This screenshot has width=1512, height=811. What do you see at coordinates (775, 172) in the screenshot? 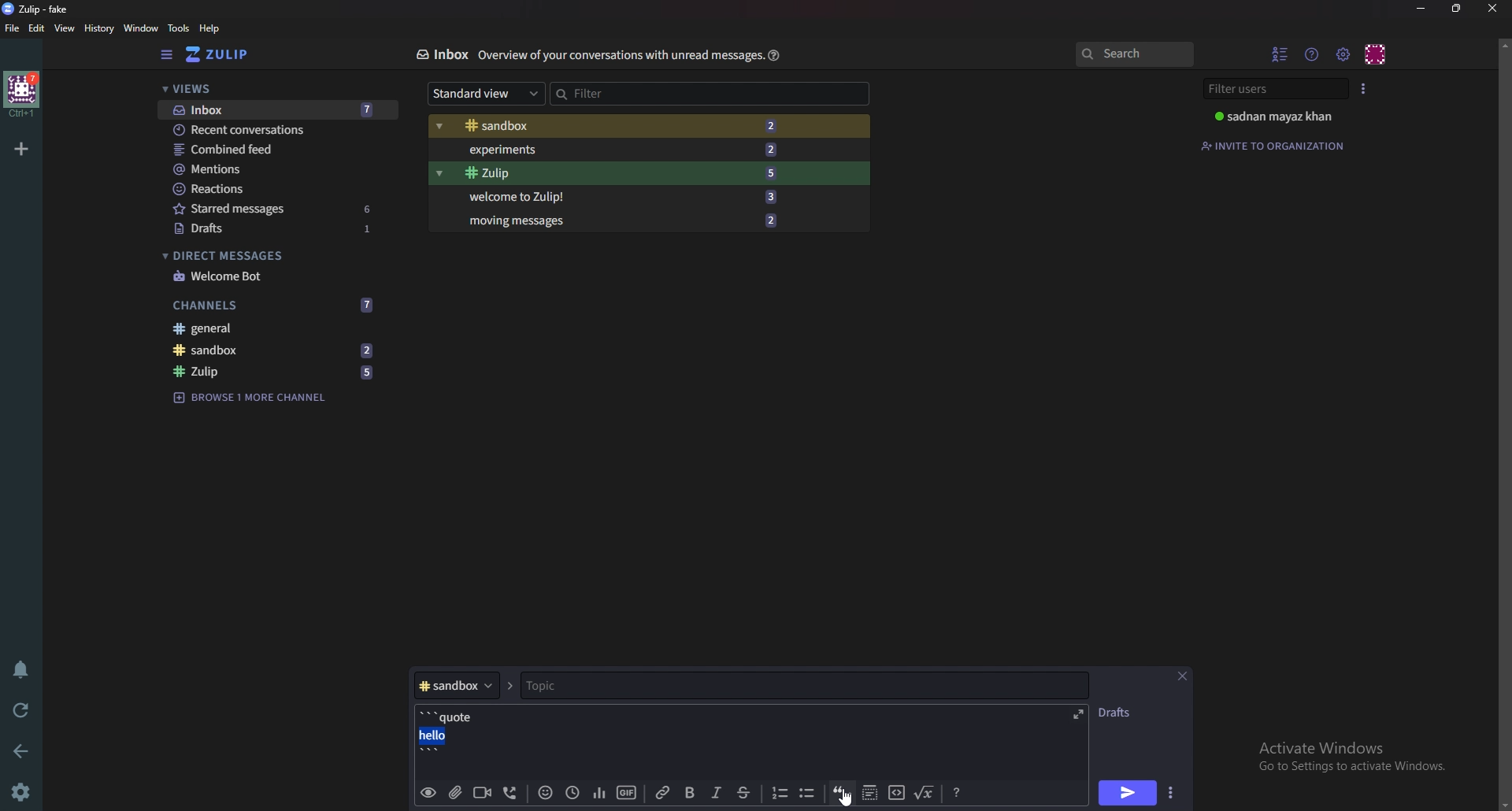
I see `5` at bounding box center [775, 172].